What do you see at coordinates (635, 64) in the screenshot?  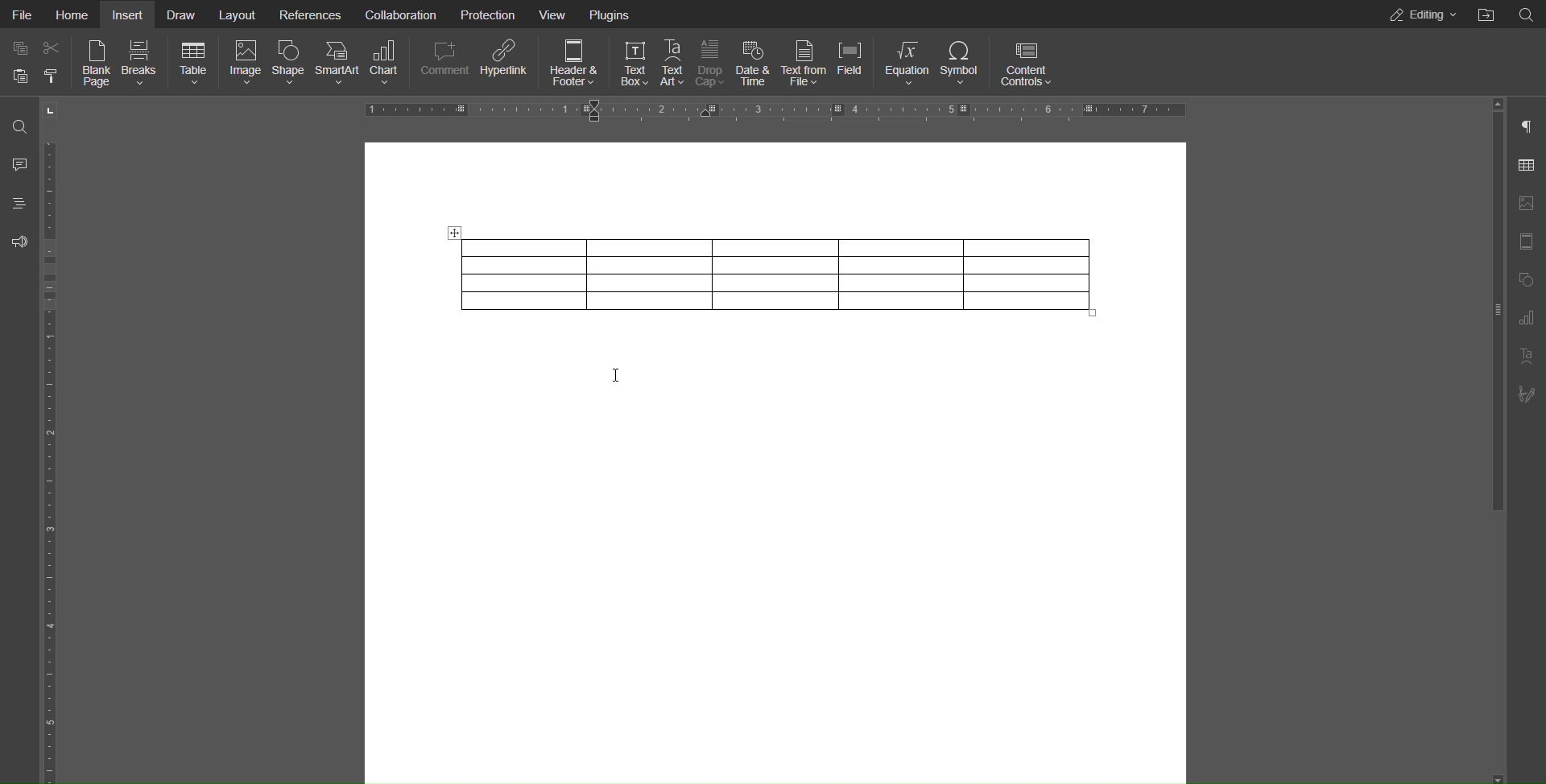 I see `Text Box` at bounding box center [635, 64].